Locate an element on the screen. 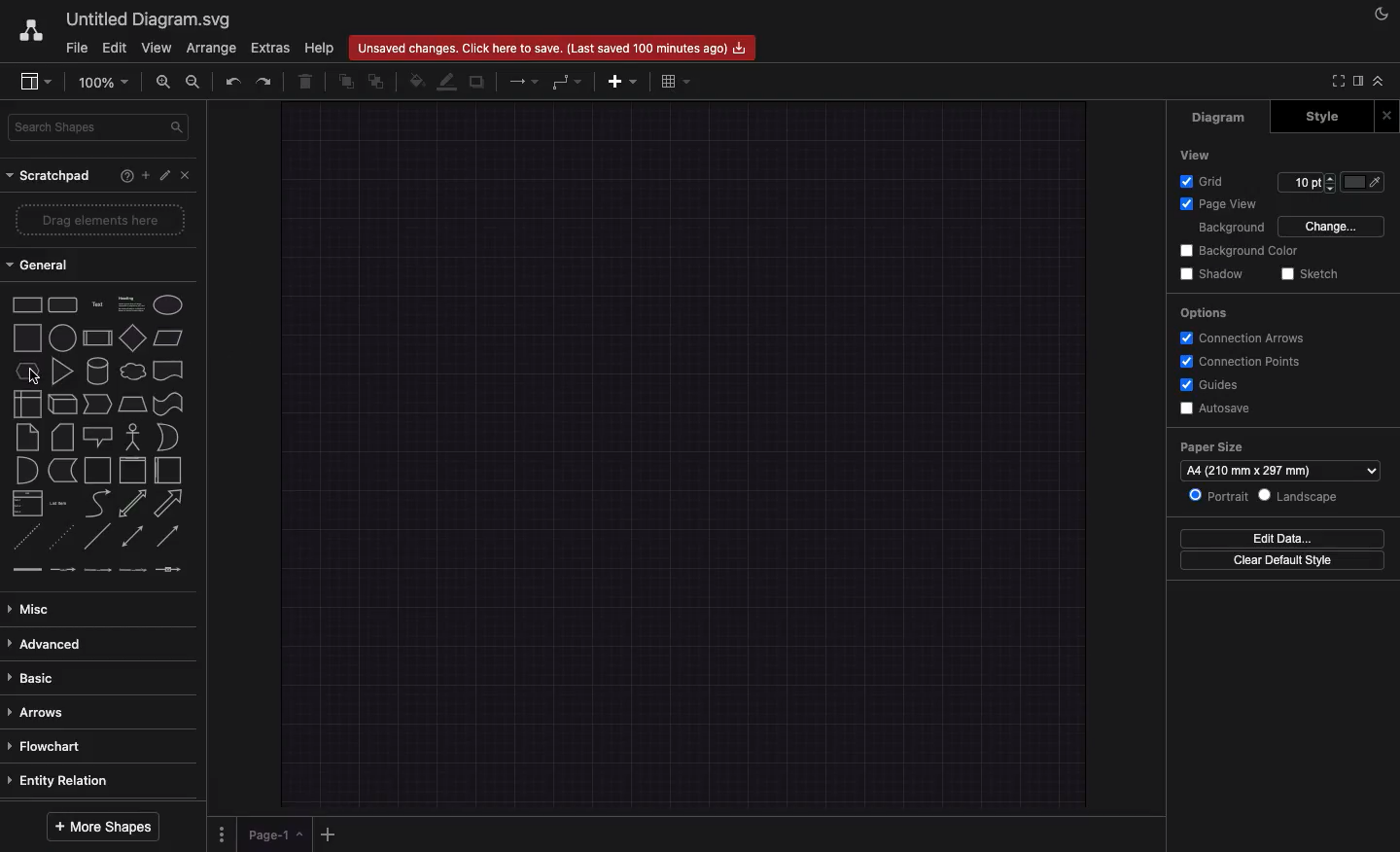 This screenshot has height=852, width=1400. Options is located at coordinates (223, 833).